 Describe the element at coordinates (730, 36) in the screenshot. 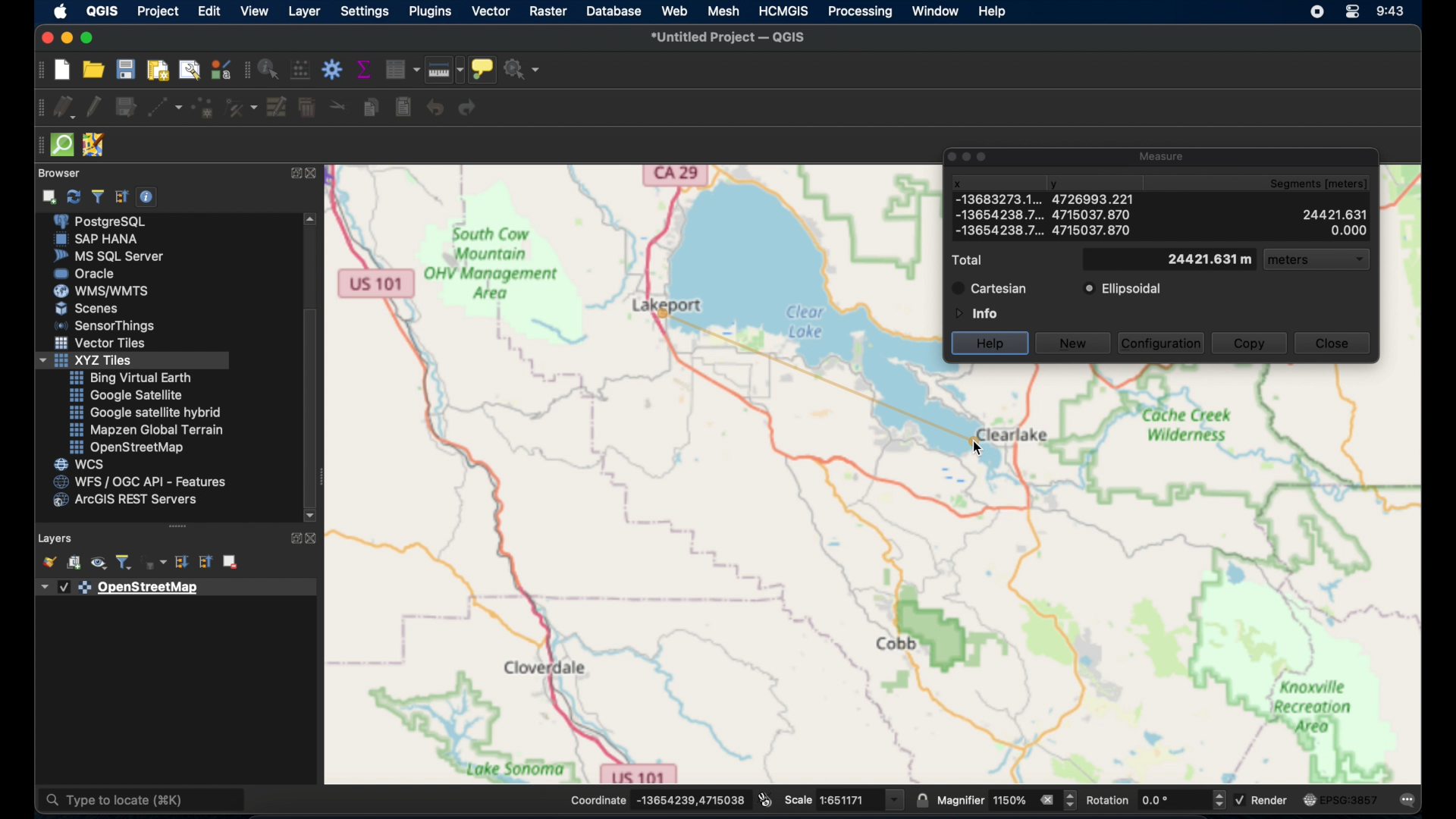

I see `Untitled project-QGIS` at that location.